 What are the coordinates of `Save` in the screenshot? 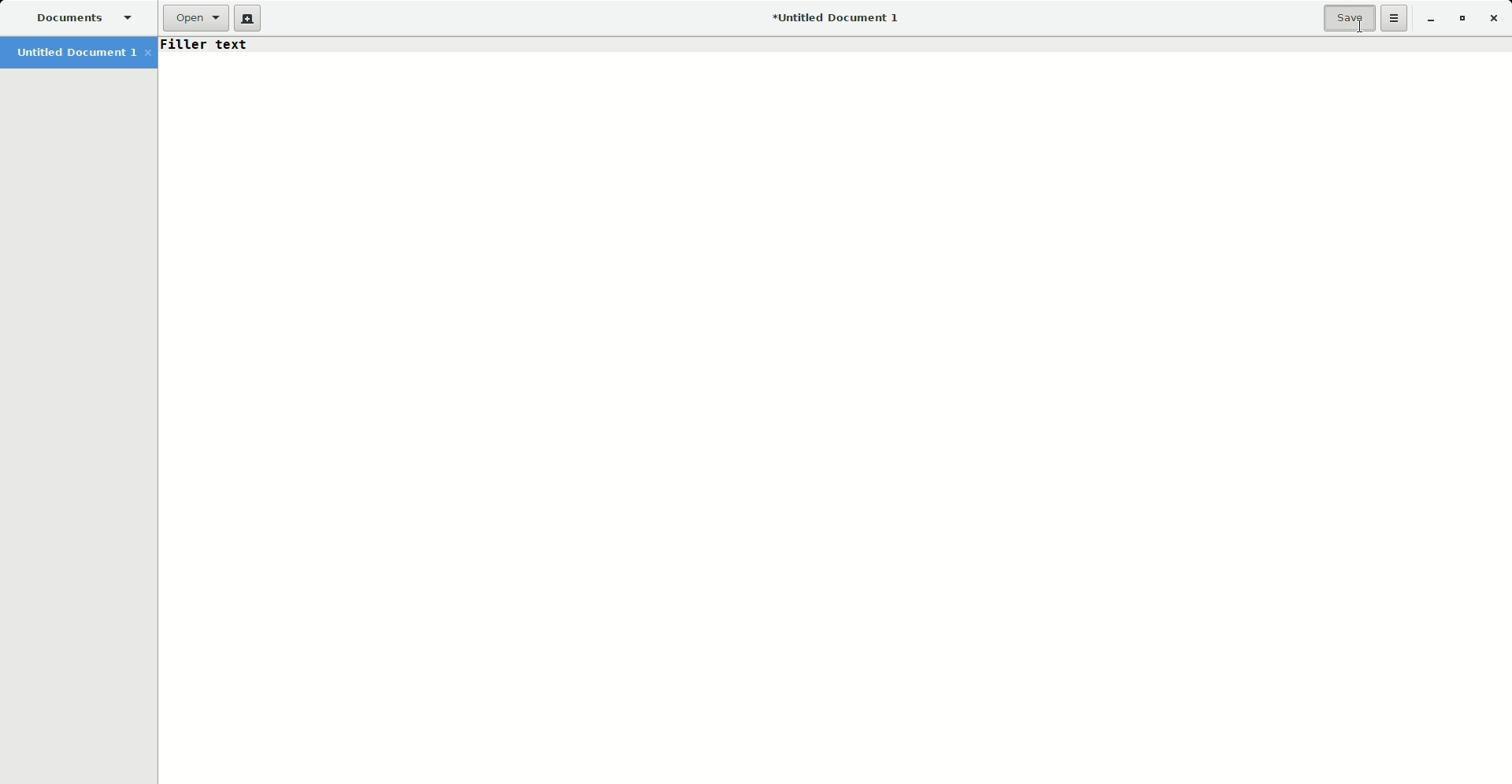 It's located at (1350, 19).